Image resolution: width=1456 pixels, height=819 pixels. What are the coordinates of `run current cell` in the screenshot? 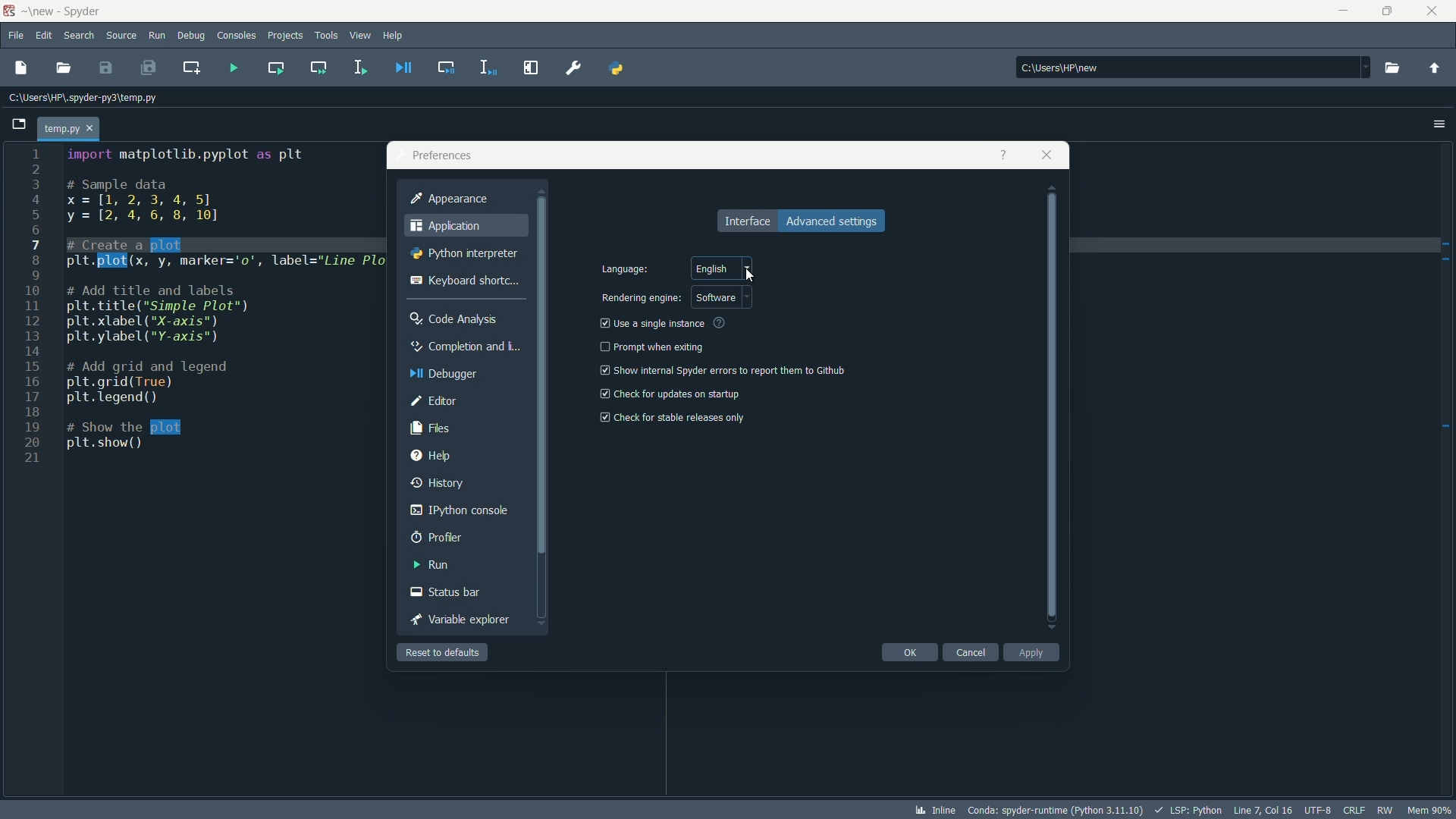 It's located at (275, 67).